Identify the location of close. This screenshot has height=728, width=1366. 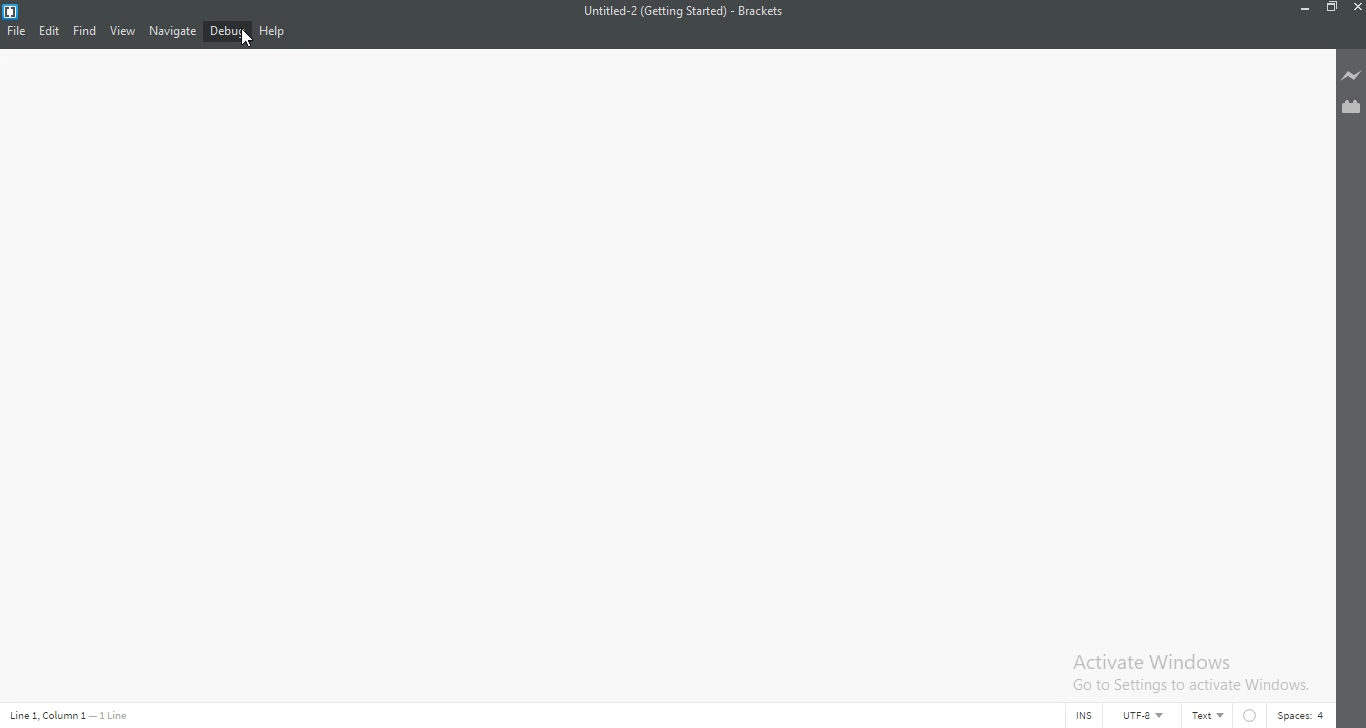
(1357, 8).